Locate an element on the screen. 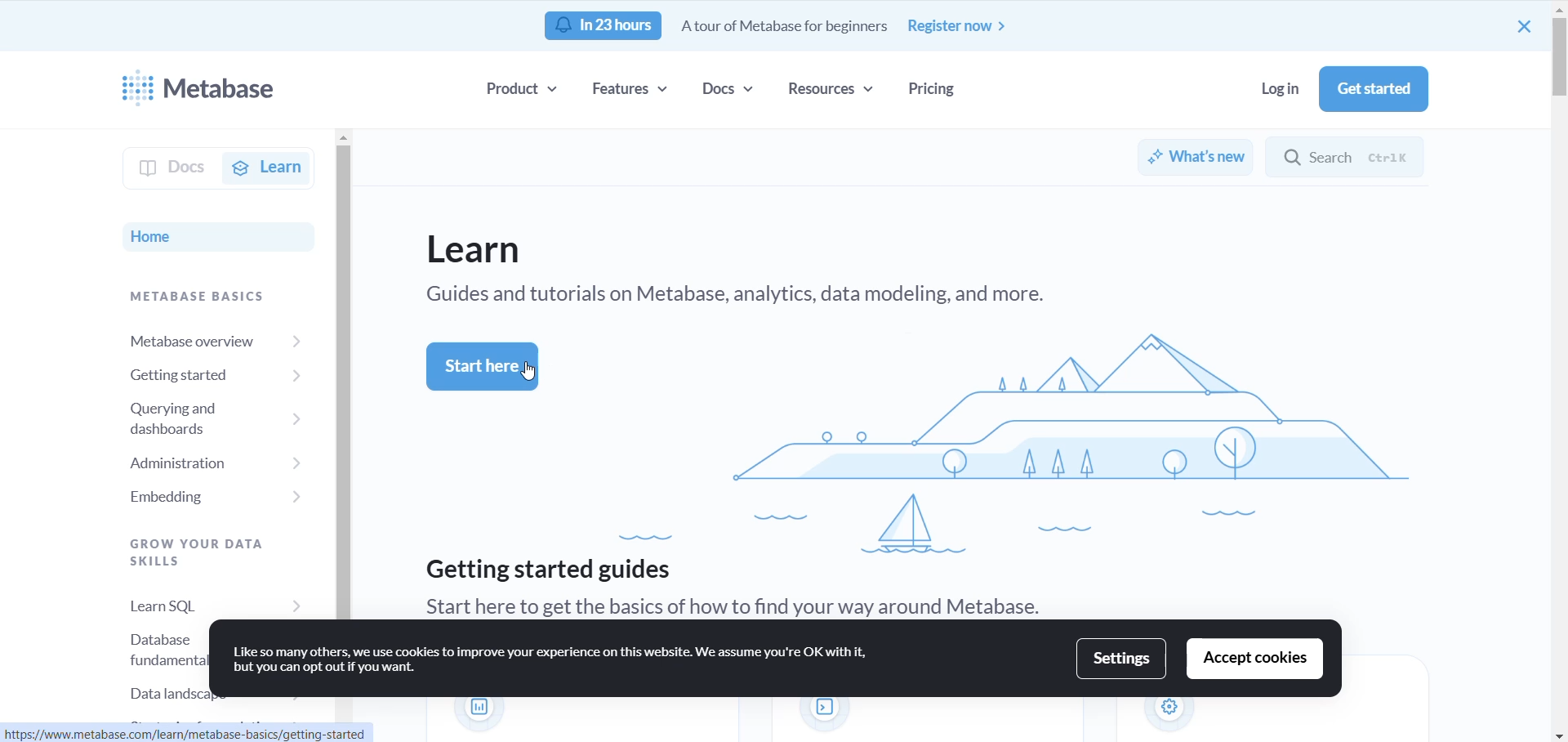  move up is located at coordinates (341, 139).